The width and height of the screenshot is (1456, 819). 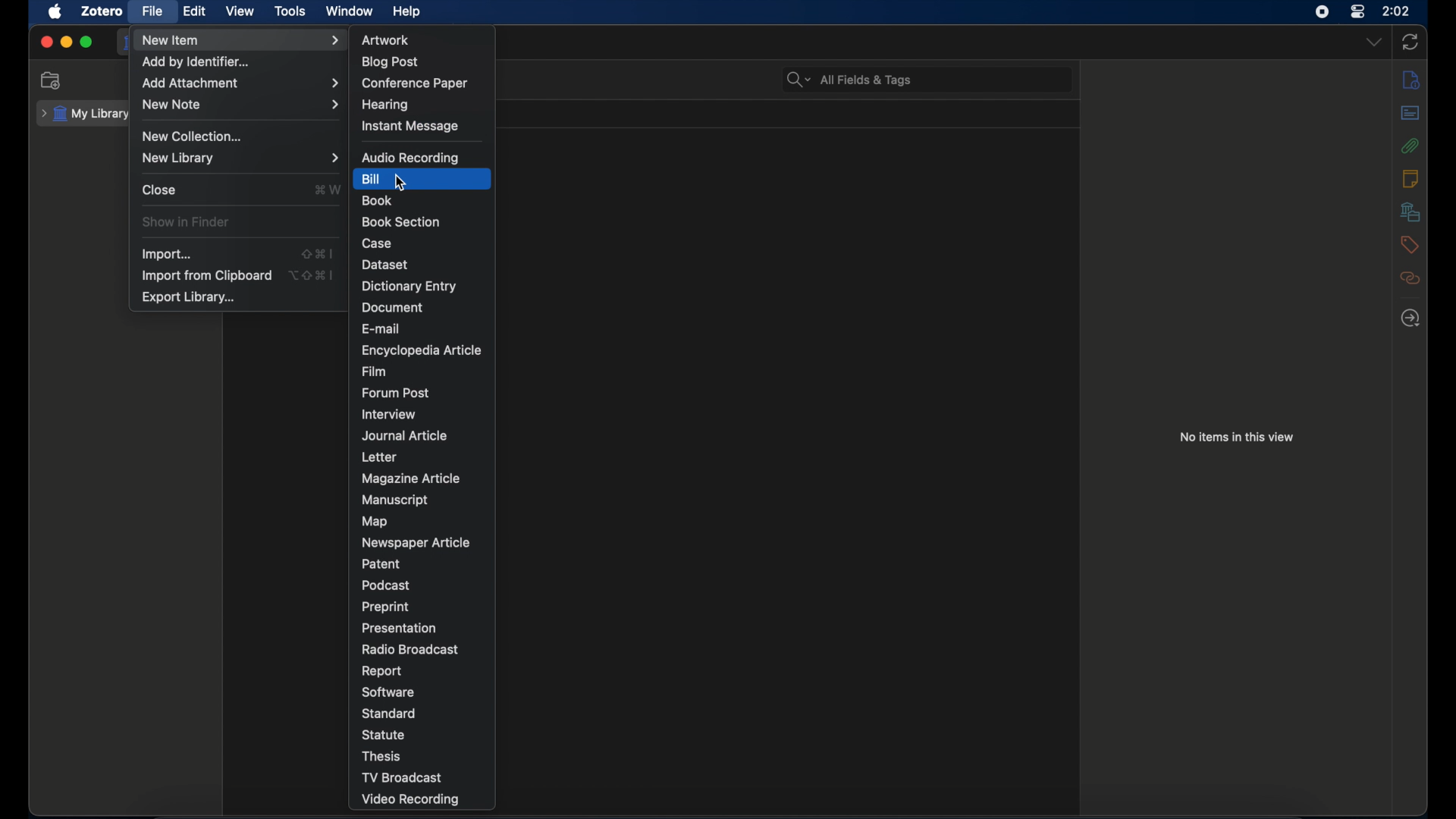 What do you see at coordinates (381, 671) in the screenshot?
I see `report` at bounding box center [381, 671].